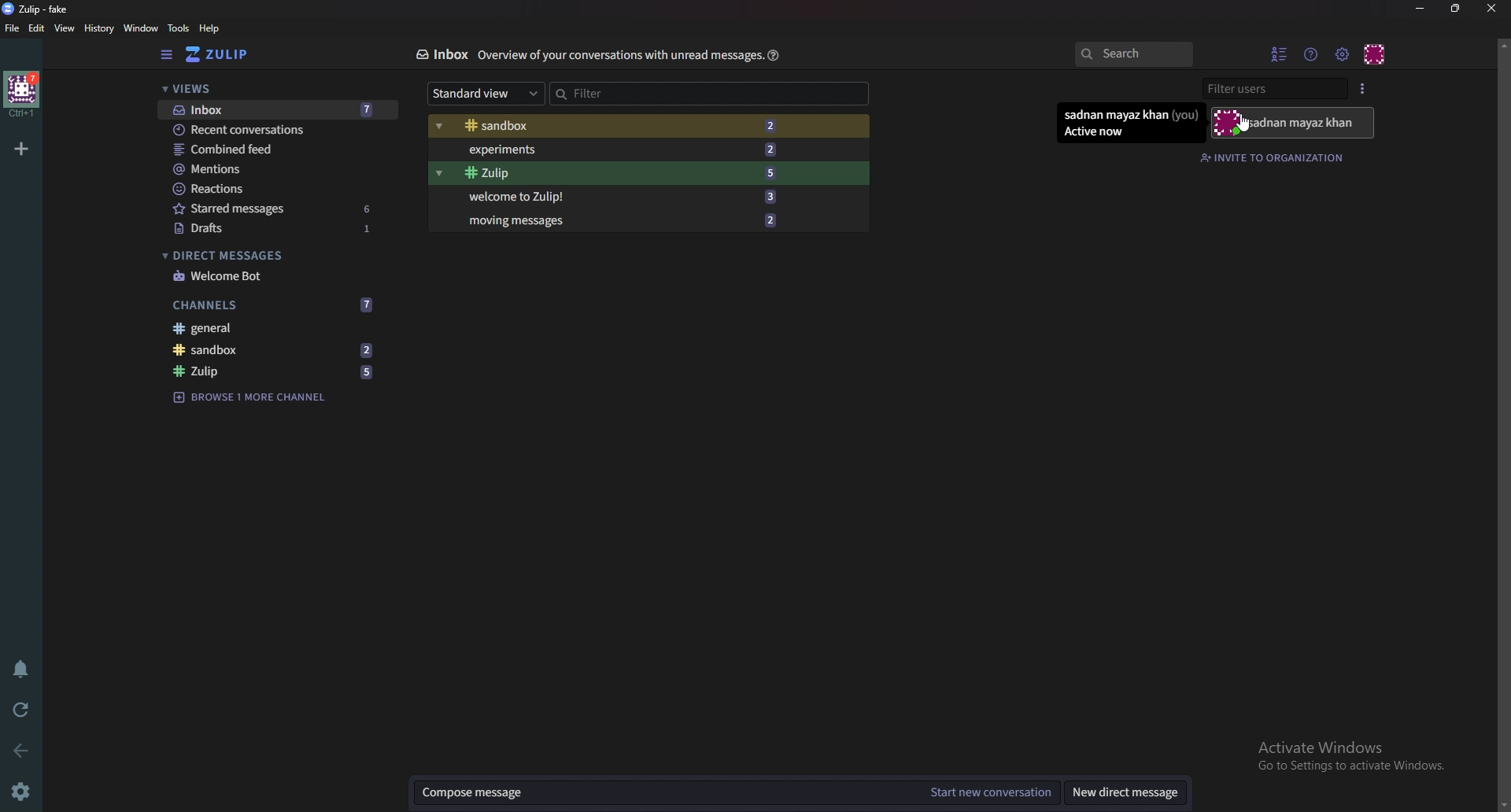 This screenshot has height=812, width=1511. I want to click on close, so click(1491, 9).